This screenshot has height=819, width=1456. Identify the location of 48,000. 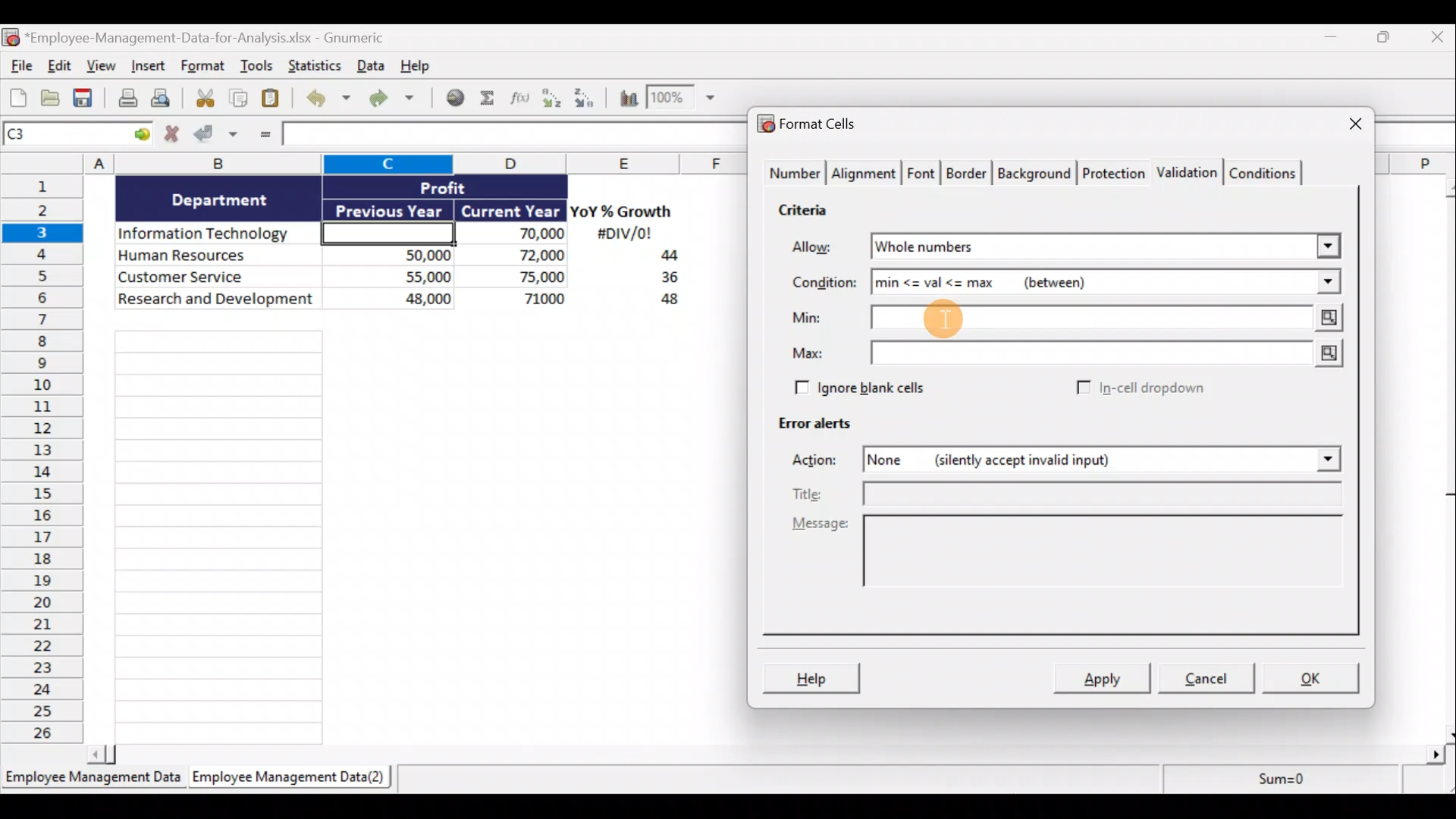
(397, 301).